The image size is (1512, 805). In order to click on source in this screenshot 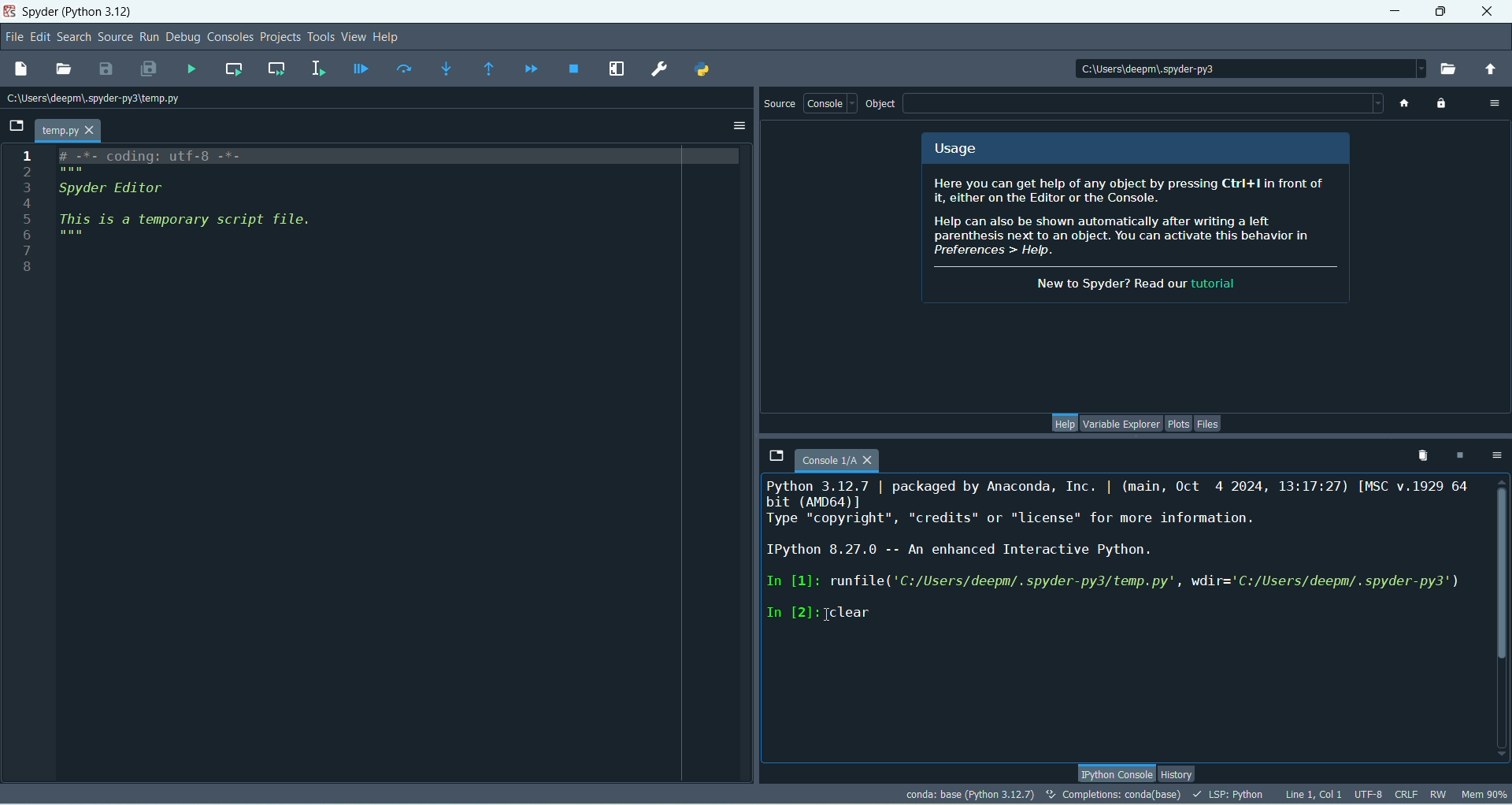, I will do `click(115, 37)`.